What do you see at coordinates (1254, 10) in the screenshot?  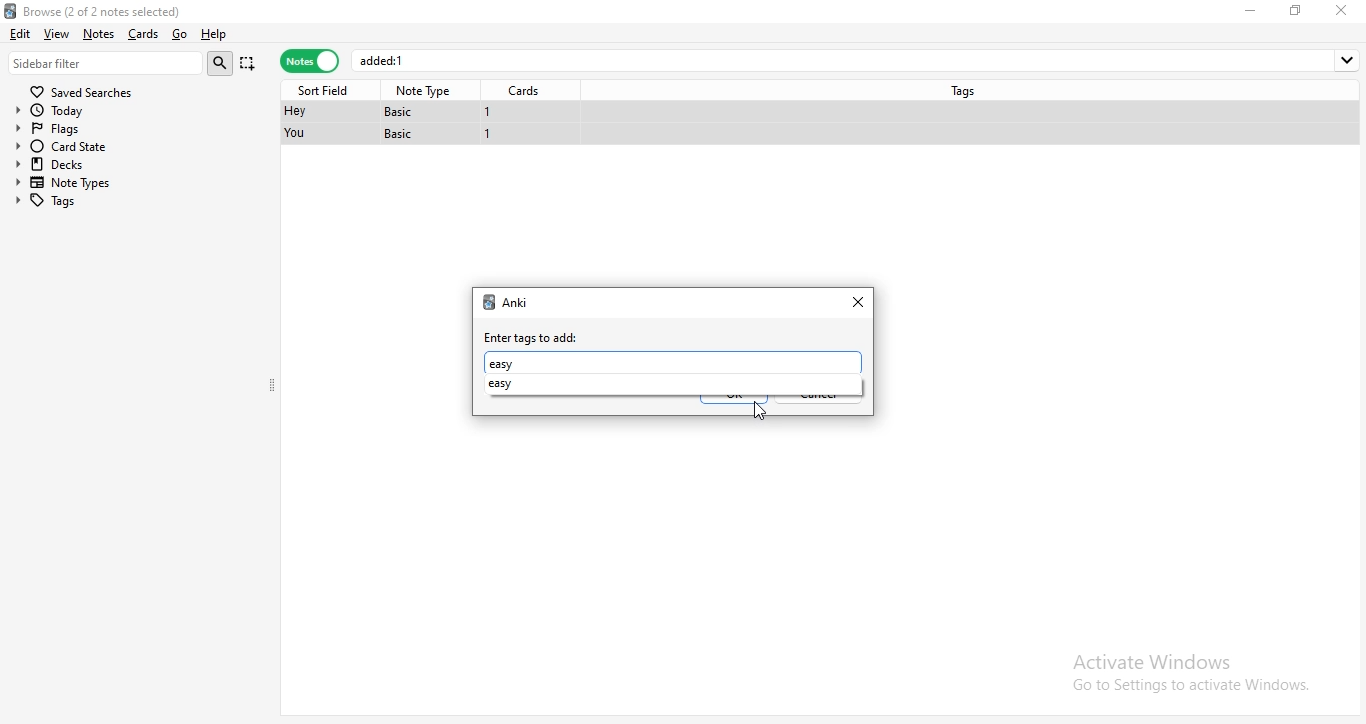 I see `minimise` at bounding box center [1254, 10].